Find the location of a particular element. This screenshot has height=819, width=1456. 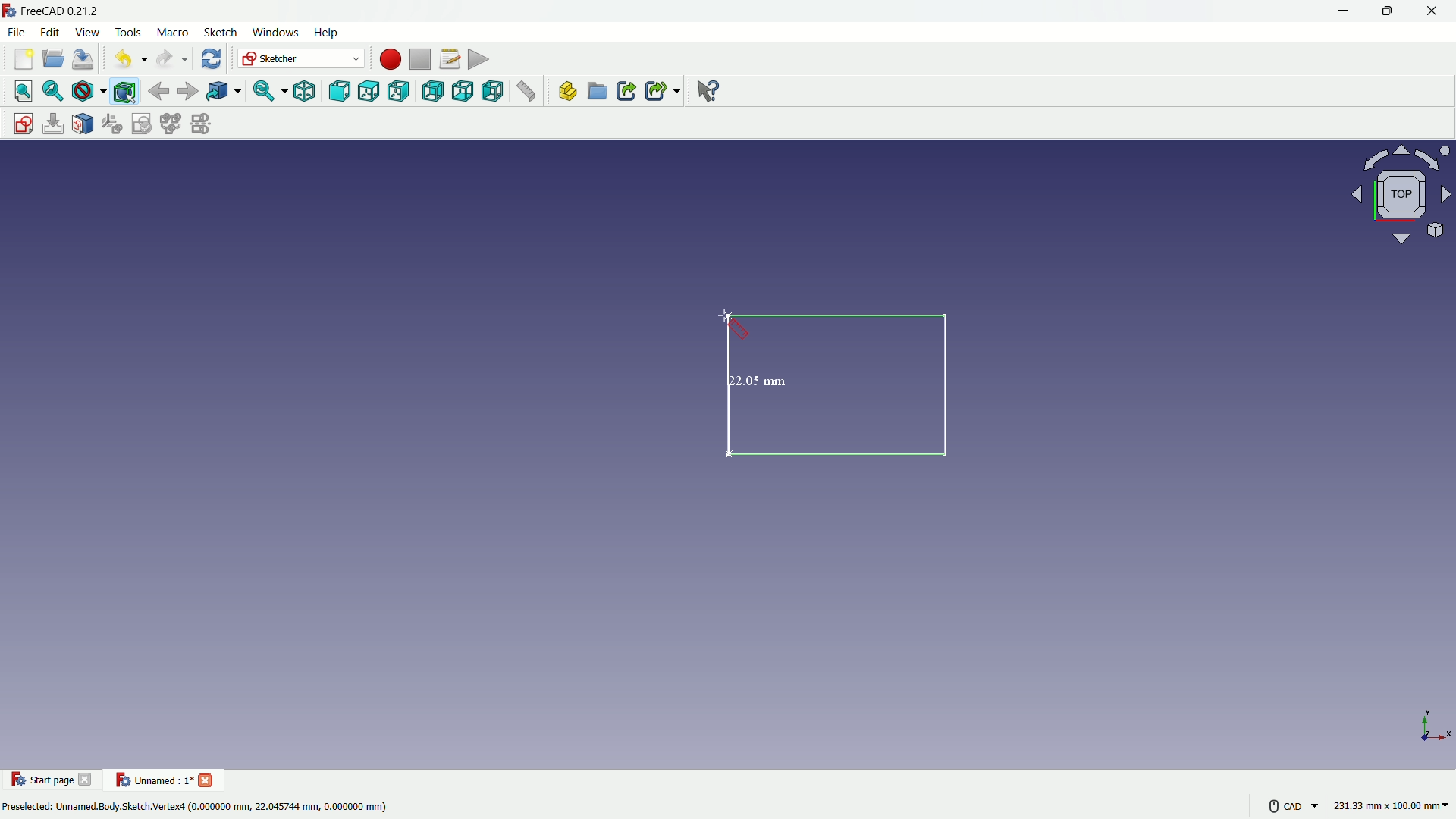

create sketch is located at coordinates (19, 122).